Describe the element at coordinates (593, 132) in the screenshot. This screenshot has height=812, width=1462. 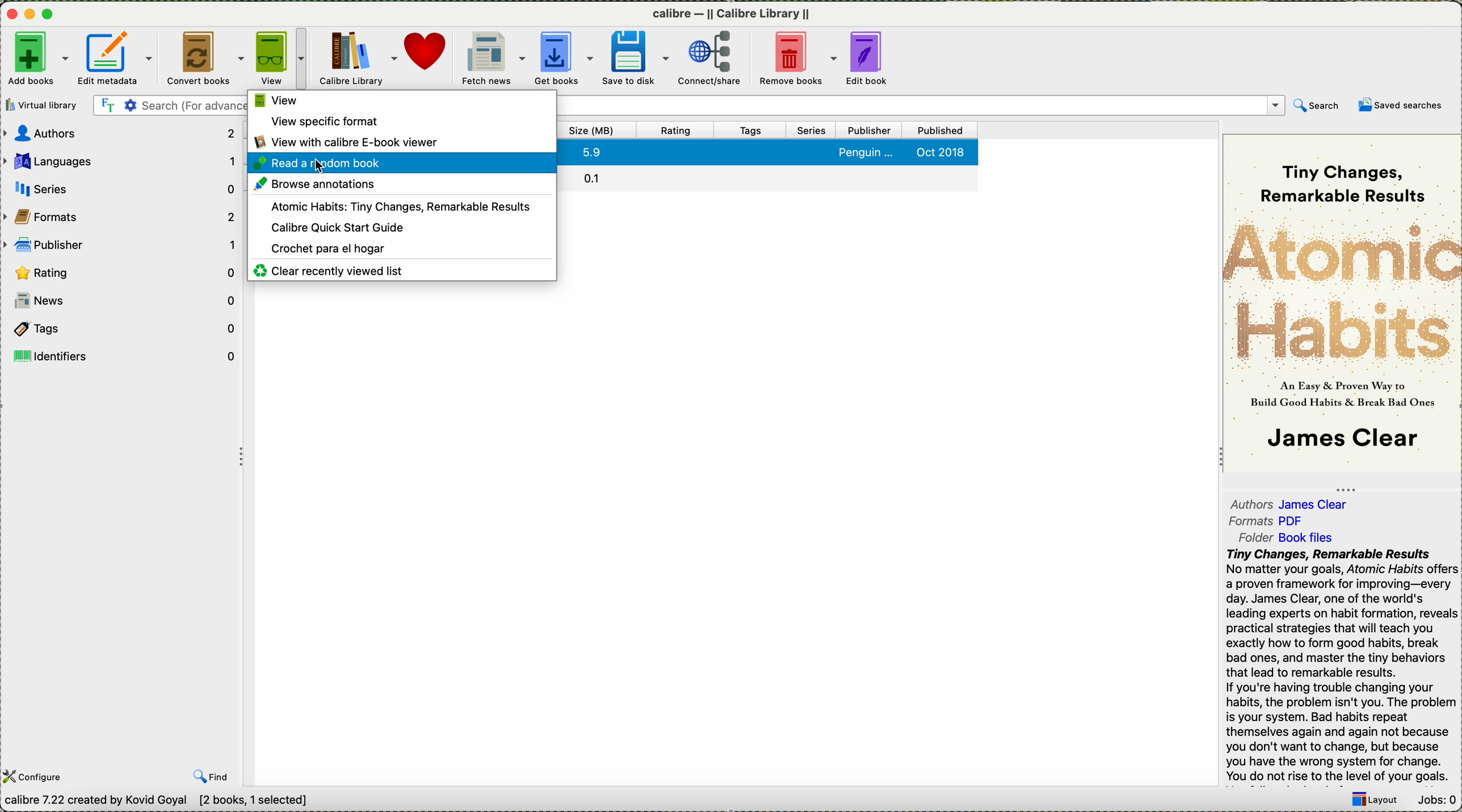
I see `size` at that location.